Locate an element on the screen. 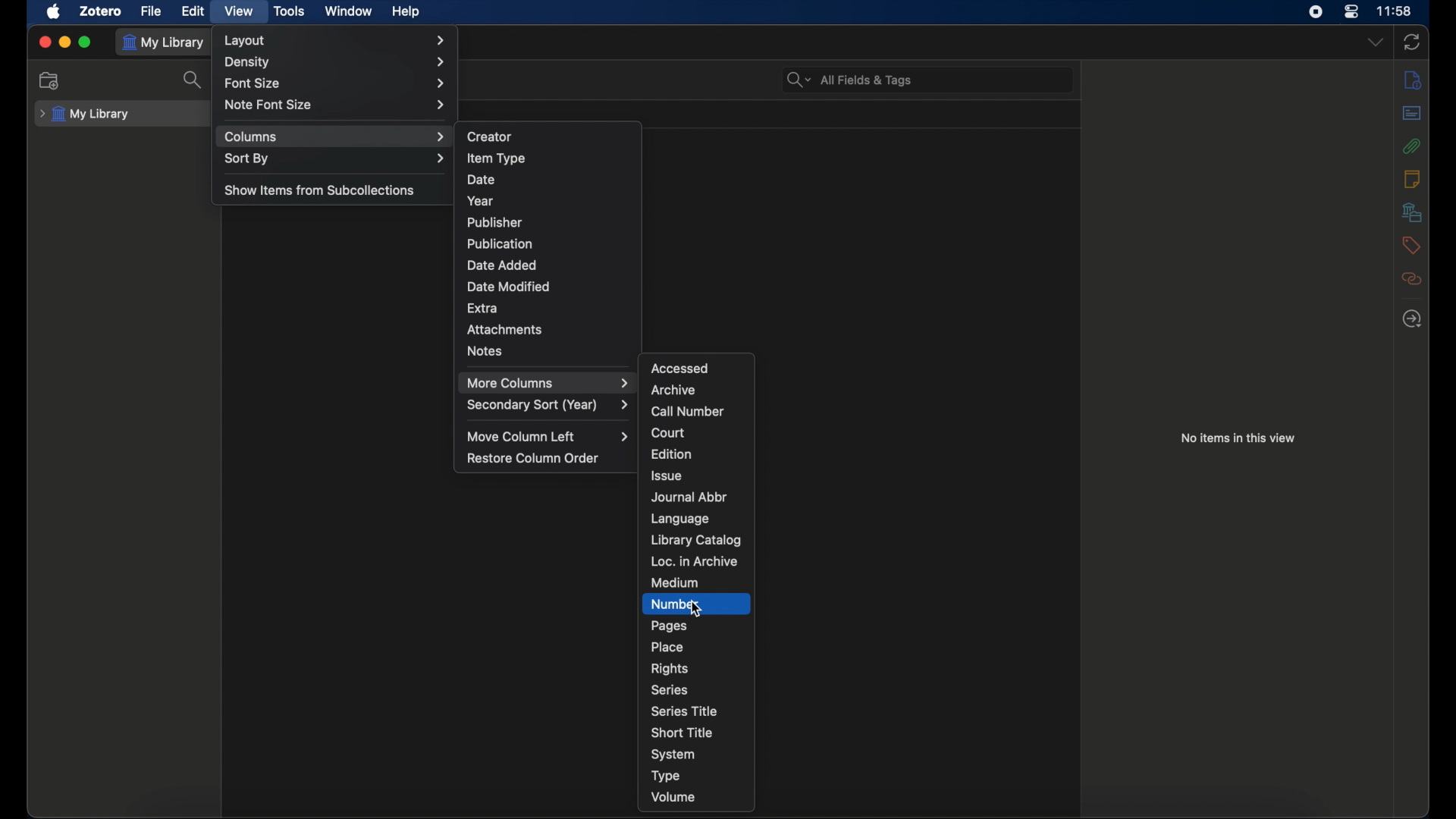 This screenshot has height=819, width=1456. font size is located at coordinates (337, 83).